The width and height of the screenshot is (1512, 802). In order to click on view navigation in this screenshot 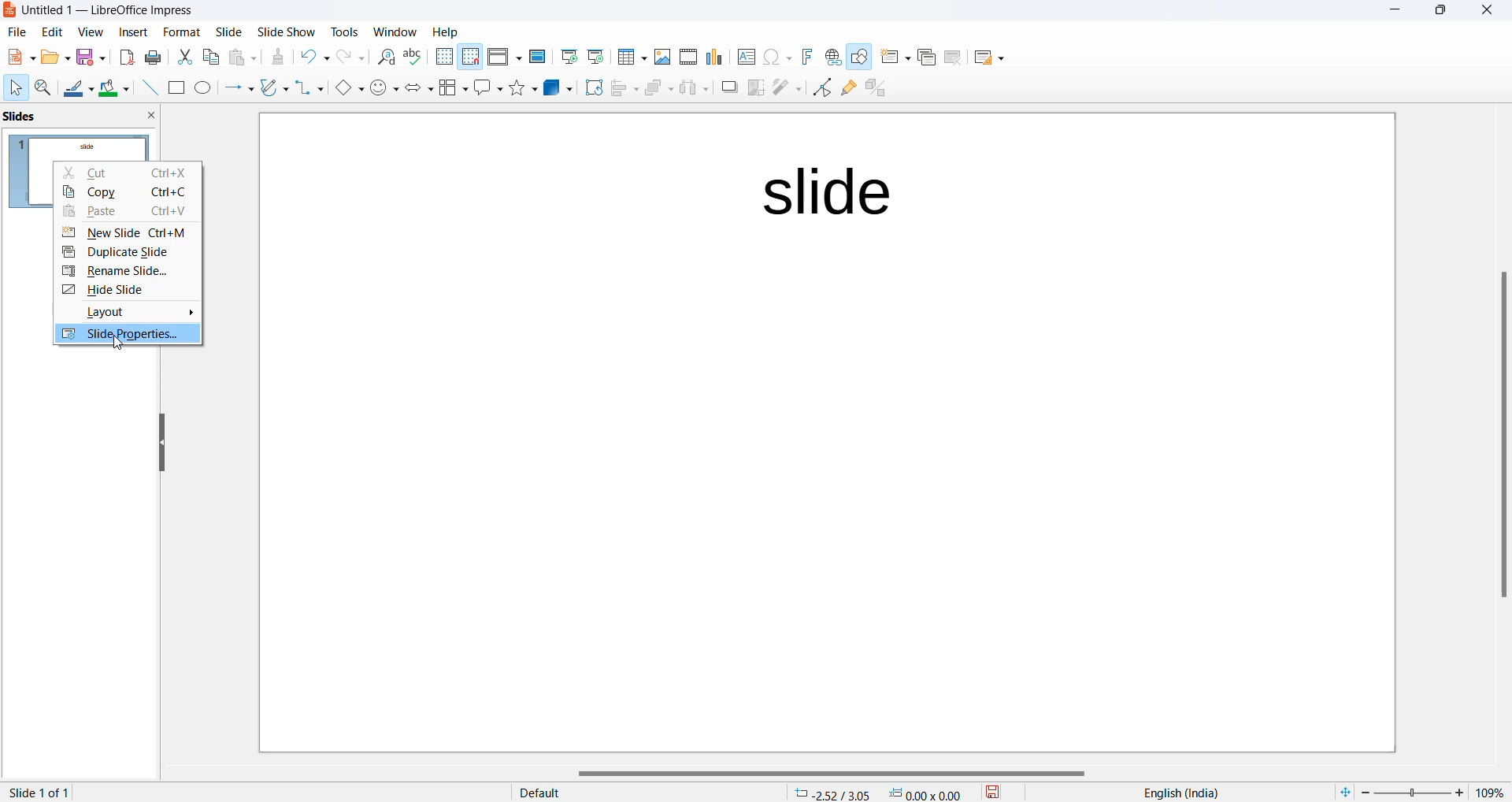, I will do `click(91, 31)`.